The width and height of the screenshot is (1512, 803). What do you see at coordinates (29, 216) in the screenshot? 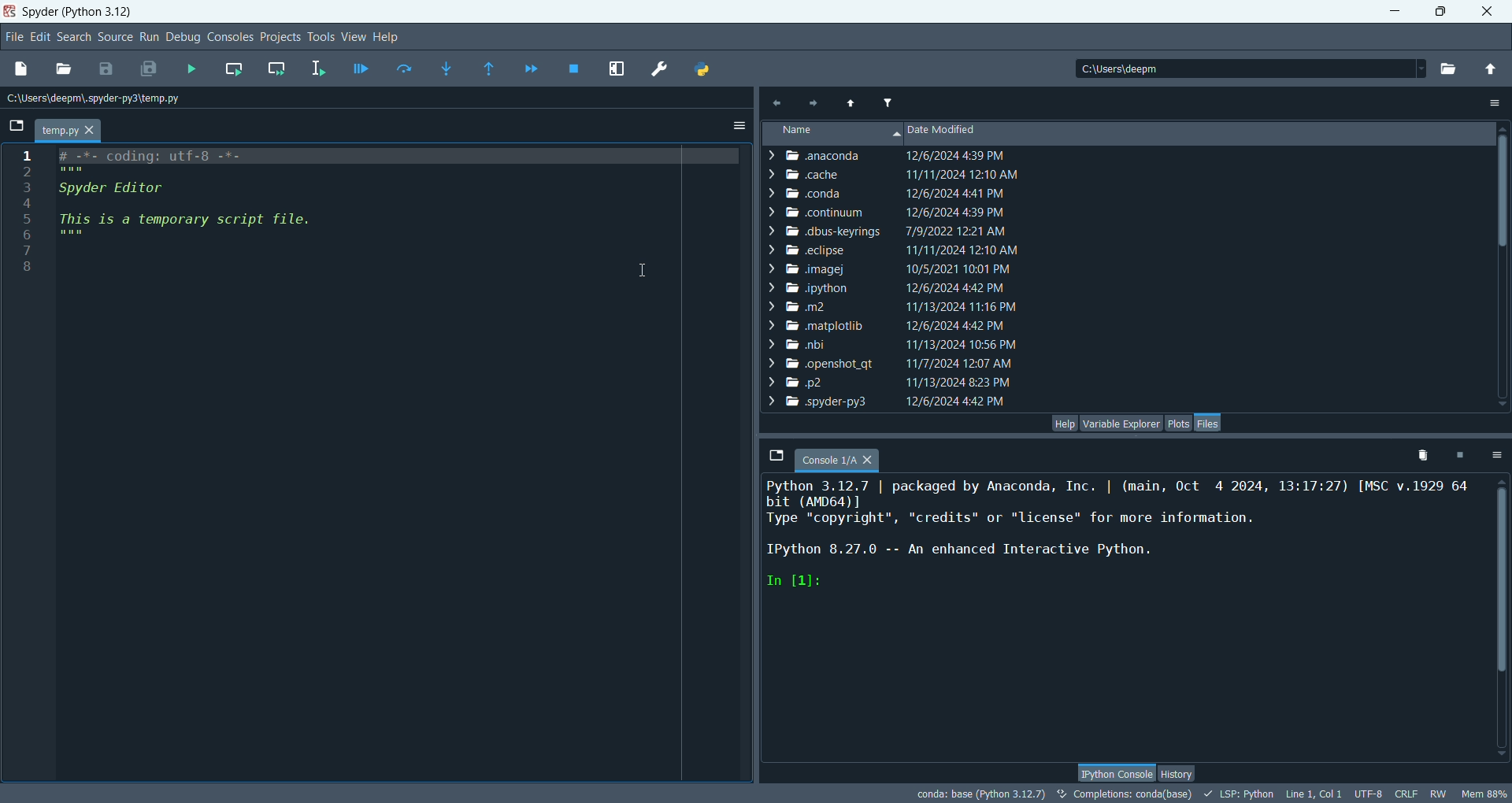
I see `numbers` at bounding box center [29, 216].